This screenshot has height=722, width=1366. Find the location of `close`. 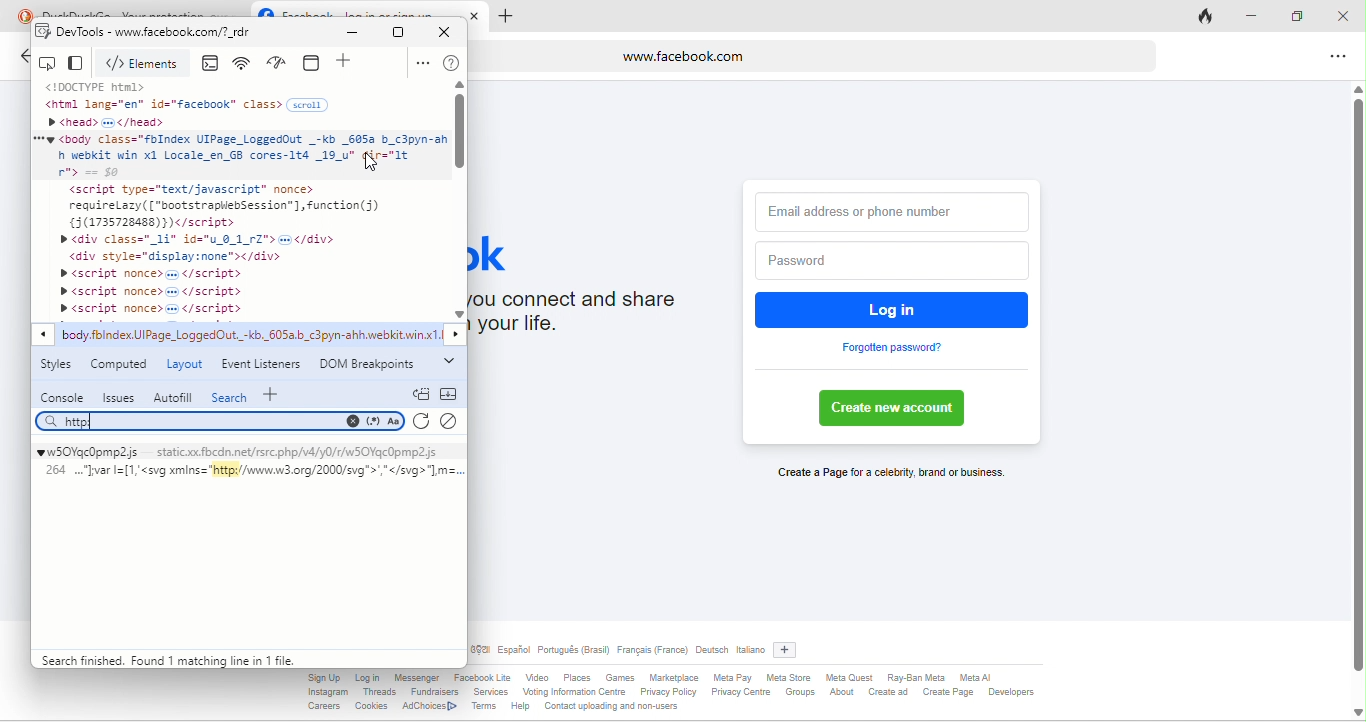

close is located at coordinates (478, 15).